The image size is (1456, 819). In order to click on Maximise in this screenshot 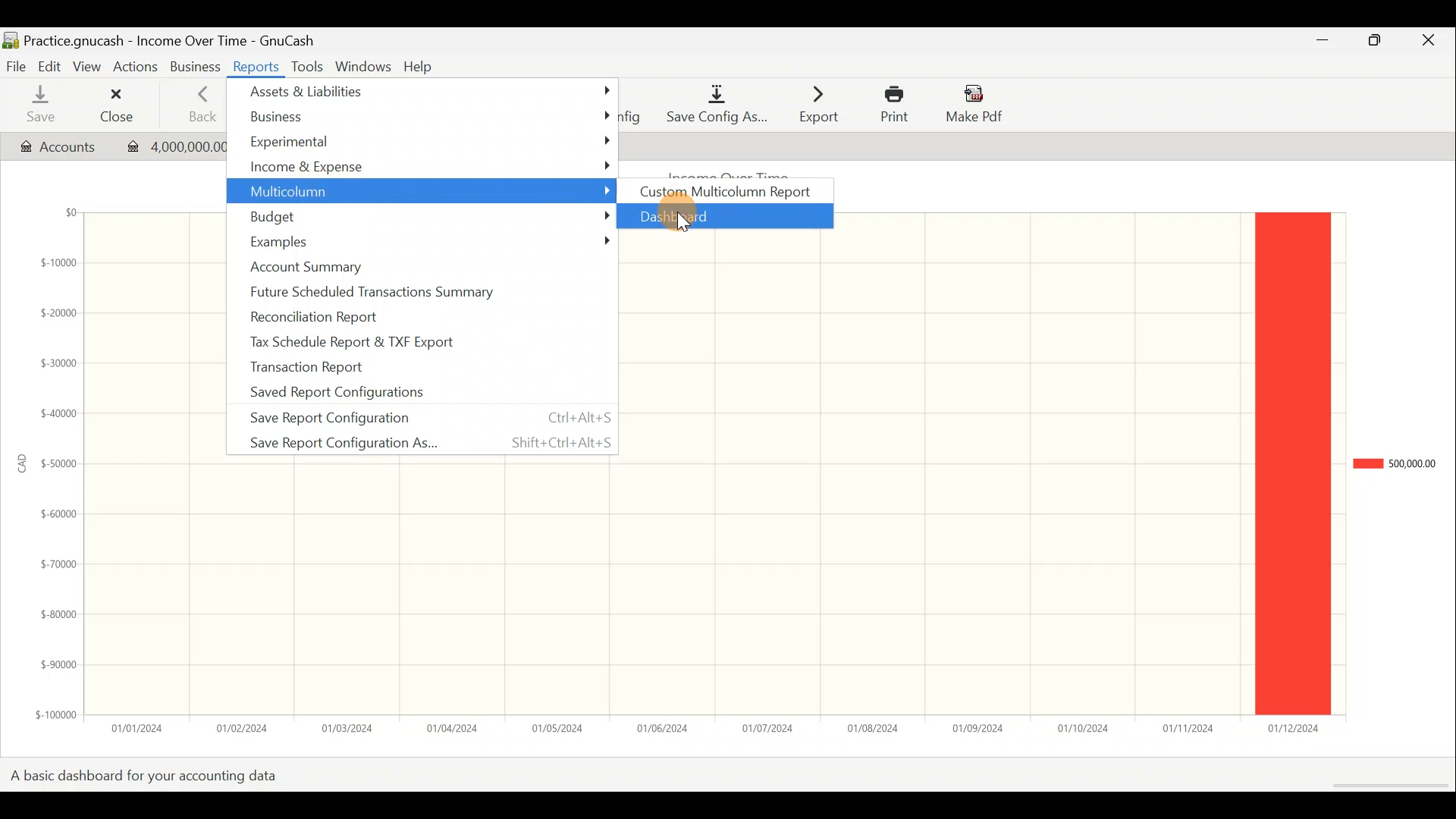, I will do `click(1378, 45)`.